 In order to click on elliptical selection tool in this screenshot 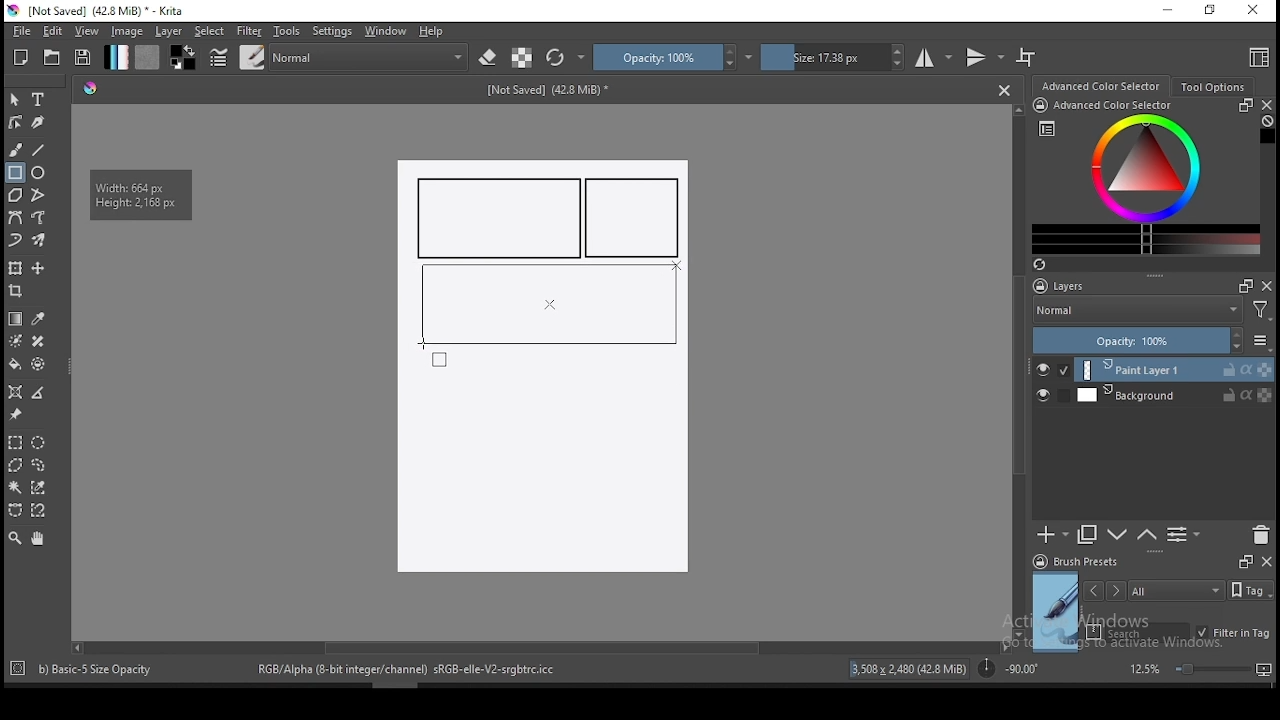, I will do `click(38, 443)`.